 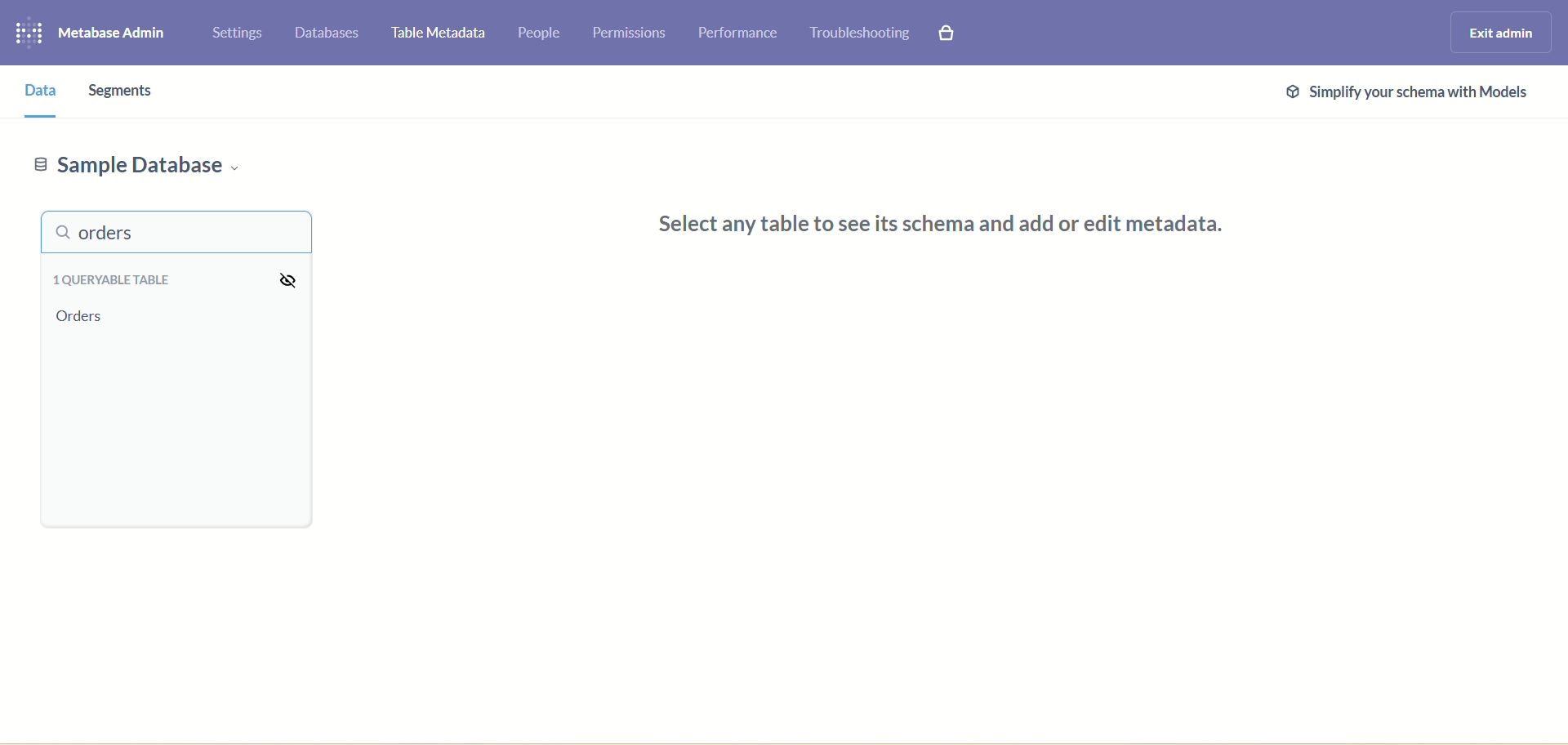 I want to click on visibility, so click(x=286, y=283).